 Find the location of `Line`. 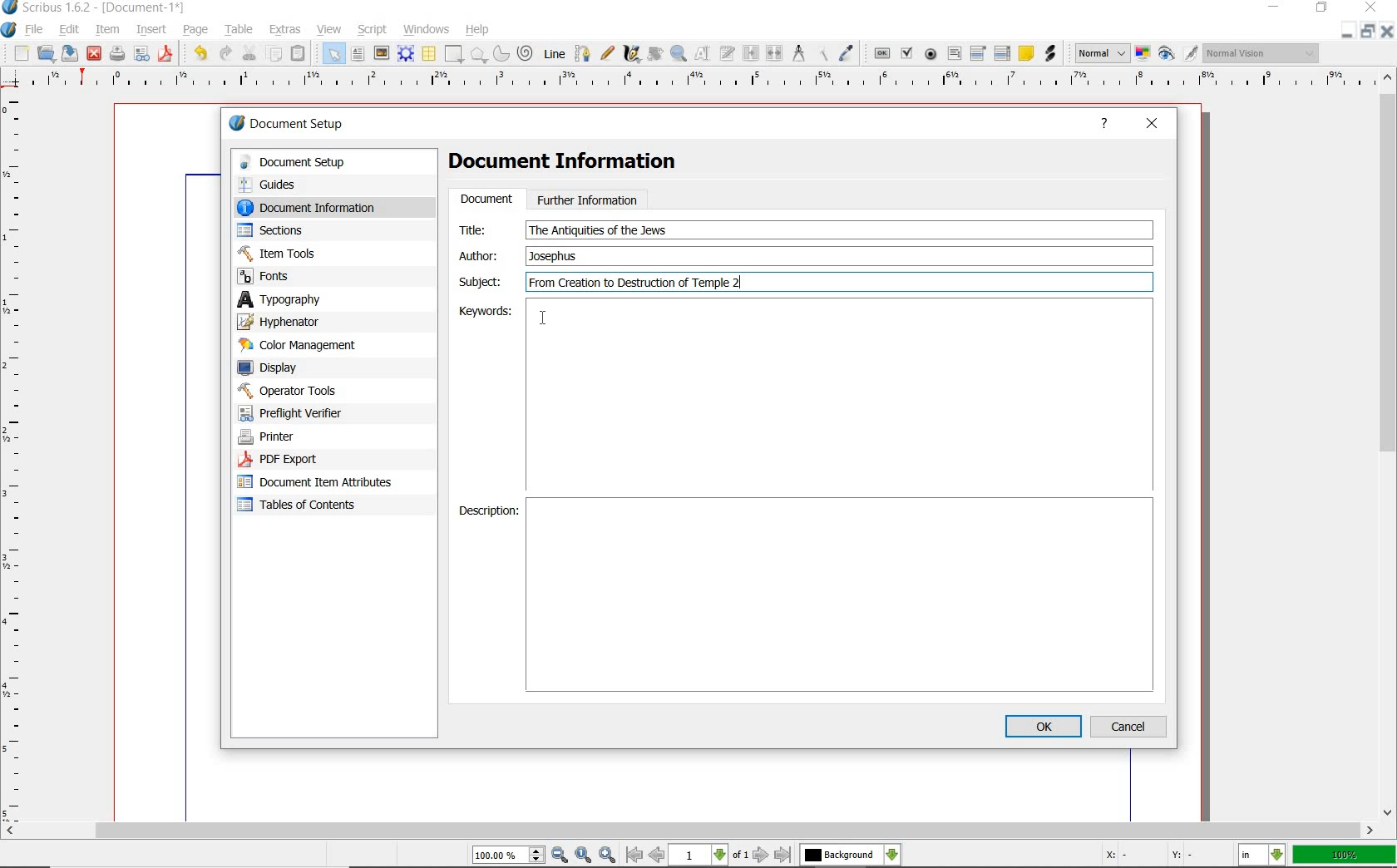

Line is located at coordinates (554, 54).